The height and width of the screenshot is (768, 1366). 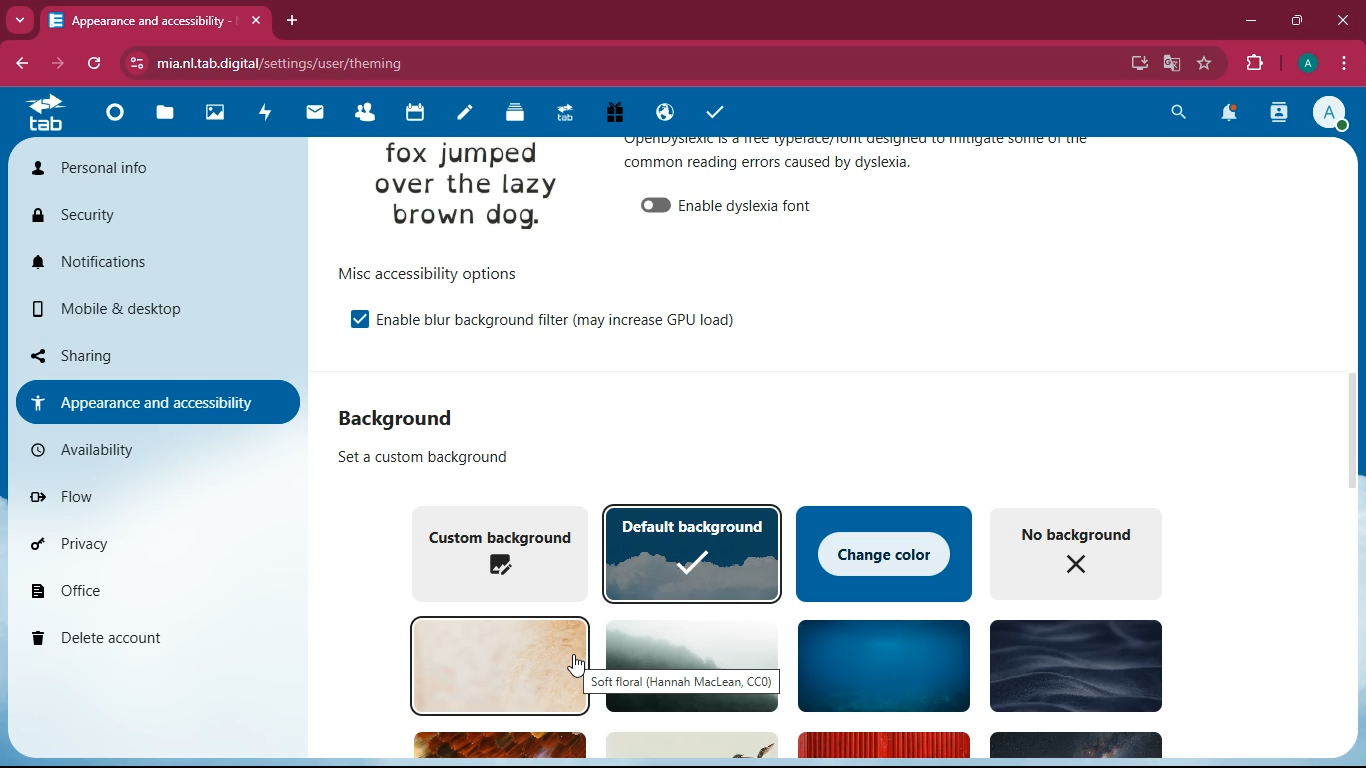 What do you see at coordinates (146, 356) in the screenshot?
I see `sharing` at bounding box center [146, 356].